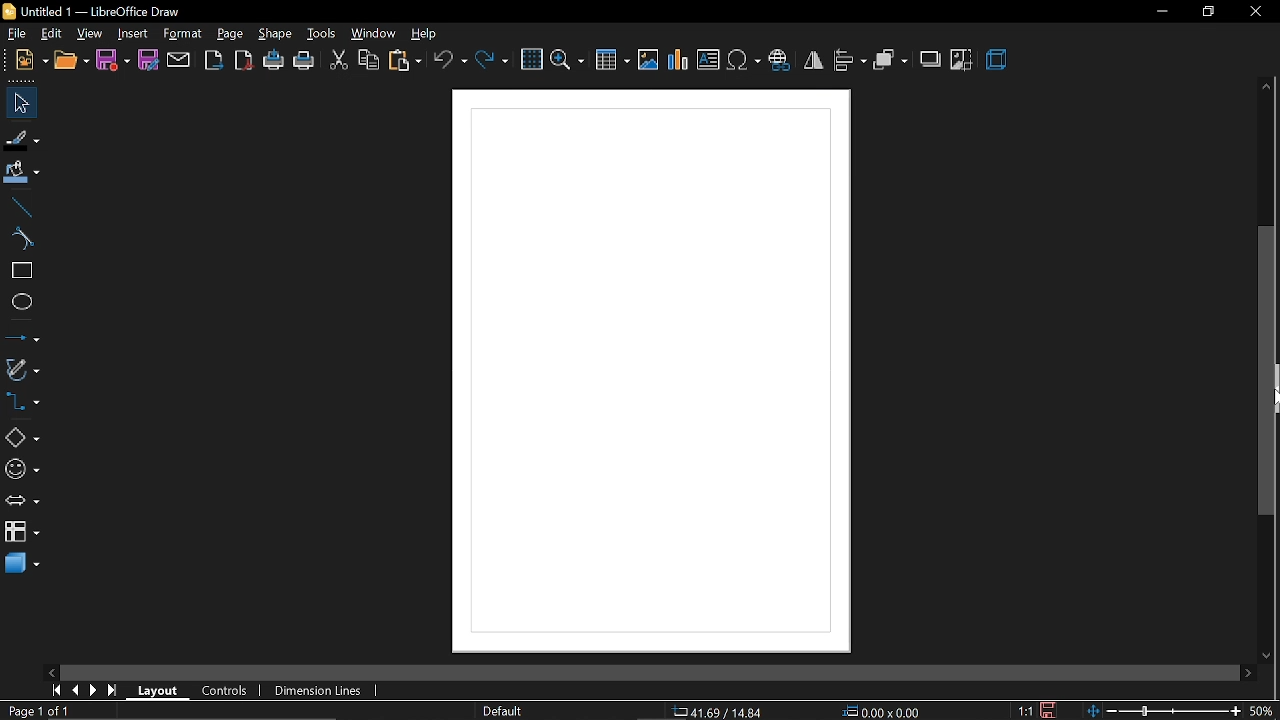 This screenshot has width=1280, height=720. What do you see at coordinates (779, 61) in the screenshot?
I see `insert hyperlink` at bounding box center [779, 61].